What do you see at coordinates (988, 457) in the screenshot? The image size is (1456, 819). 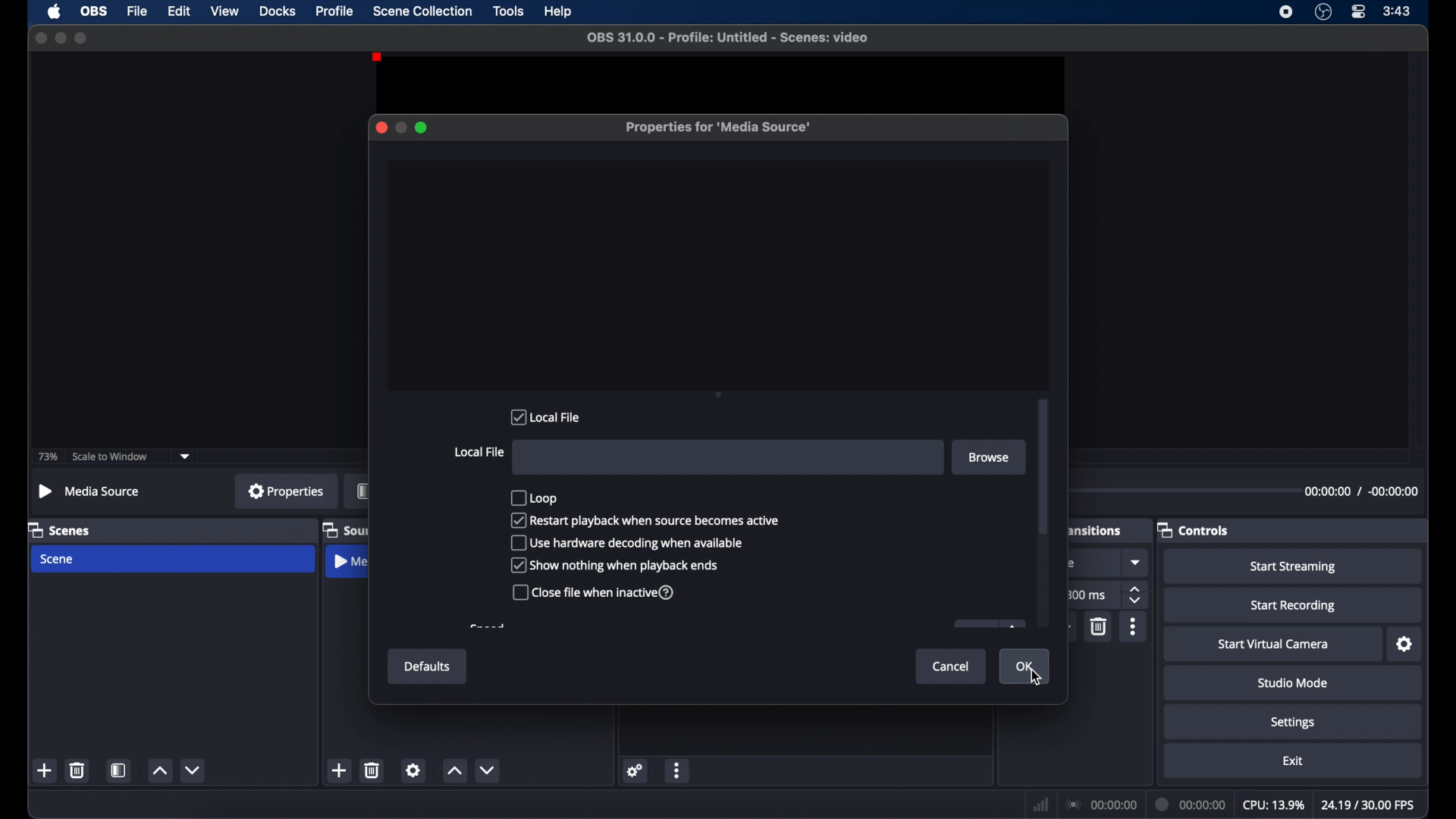 I see `browse` at bounding box center [988, 457].